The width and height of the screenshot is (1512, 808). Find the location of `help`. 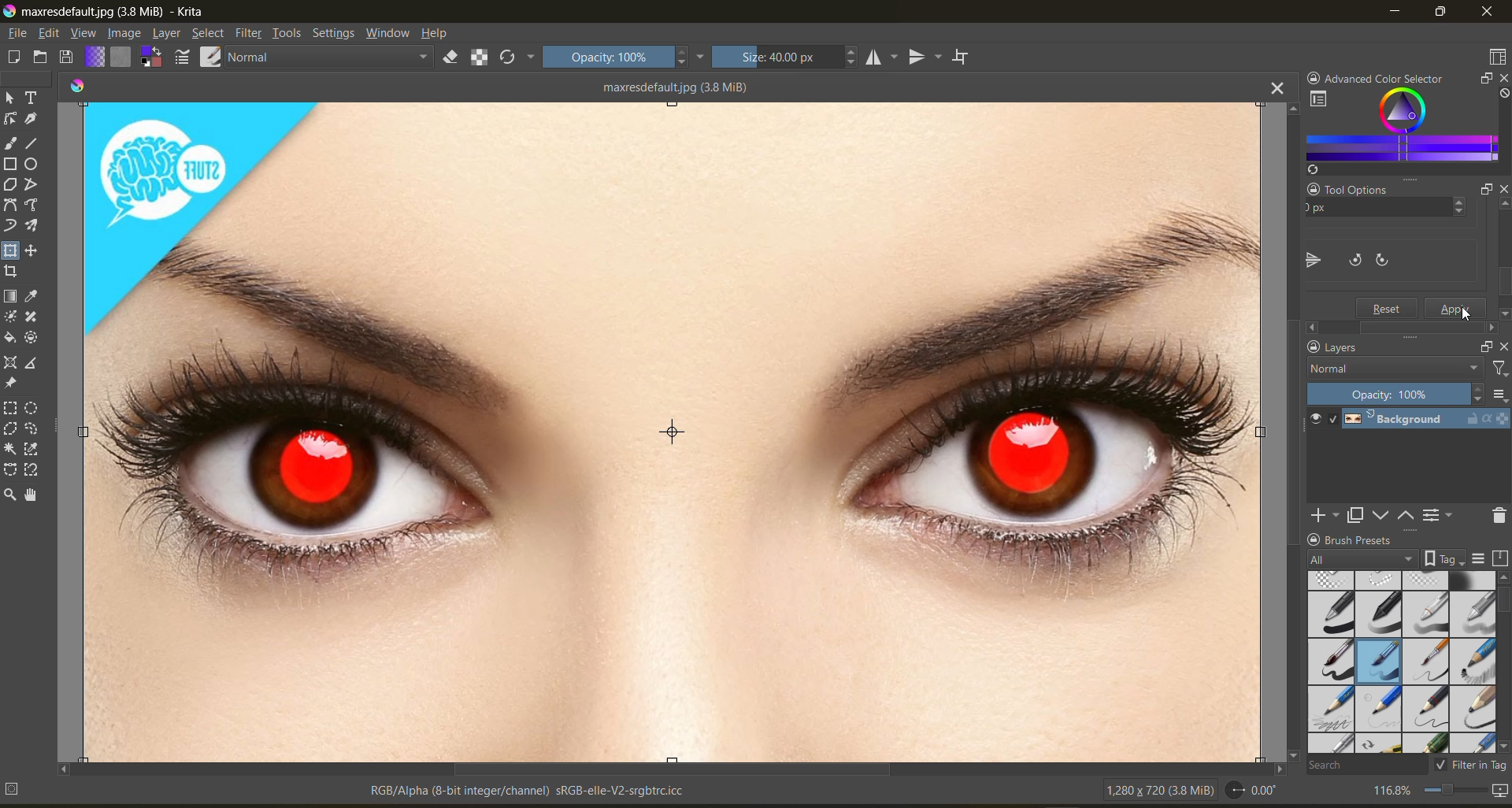

help is located at coordinates (439, 34).